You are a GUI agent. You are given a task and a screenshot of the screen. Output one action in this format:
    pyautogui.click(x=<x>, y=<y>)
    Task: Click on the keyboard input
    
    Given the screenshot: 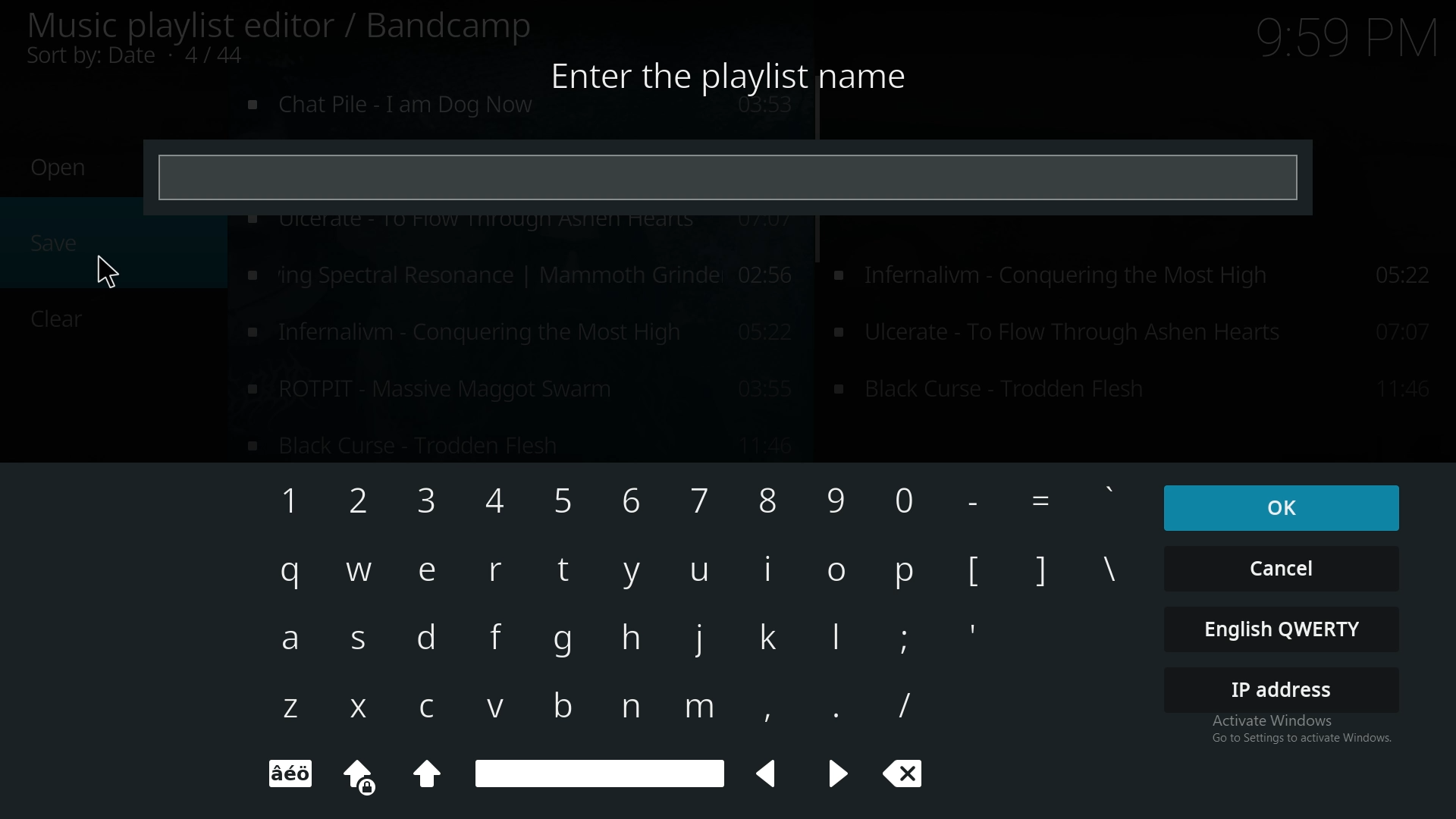 What is the action you would take?
    pyautogui.click(x=834, y=574)
    